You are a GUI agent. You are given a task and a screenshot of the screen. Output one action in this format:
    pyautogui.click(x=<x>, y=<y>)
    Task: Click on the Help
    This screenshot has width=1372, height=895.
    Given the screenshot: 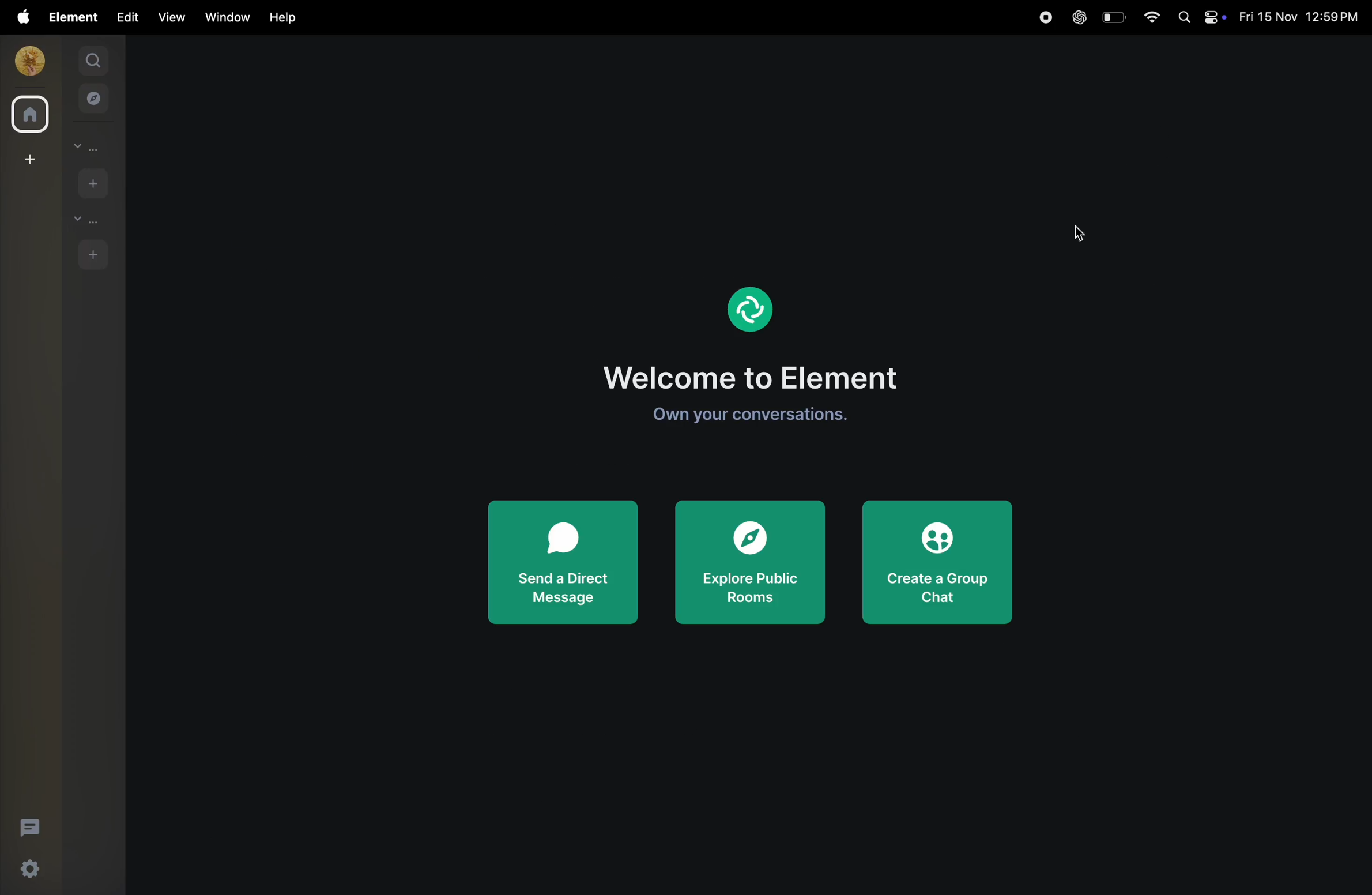 What is the action you would take?
    pyautogui.click(x=284, y=17)
    